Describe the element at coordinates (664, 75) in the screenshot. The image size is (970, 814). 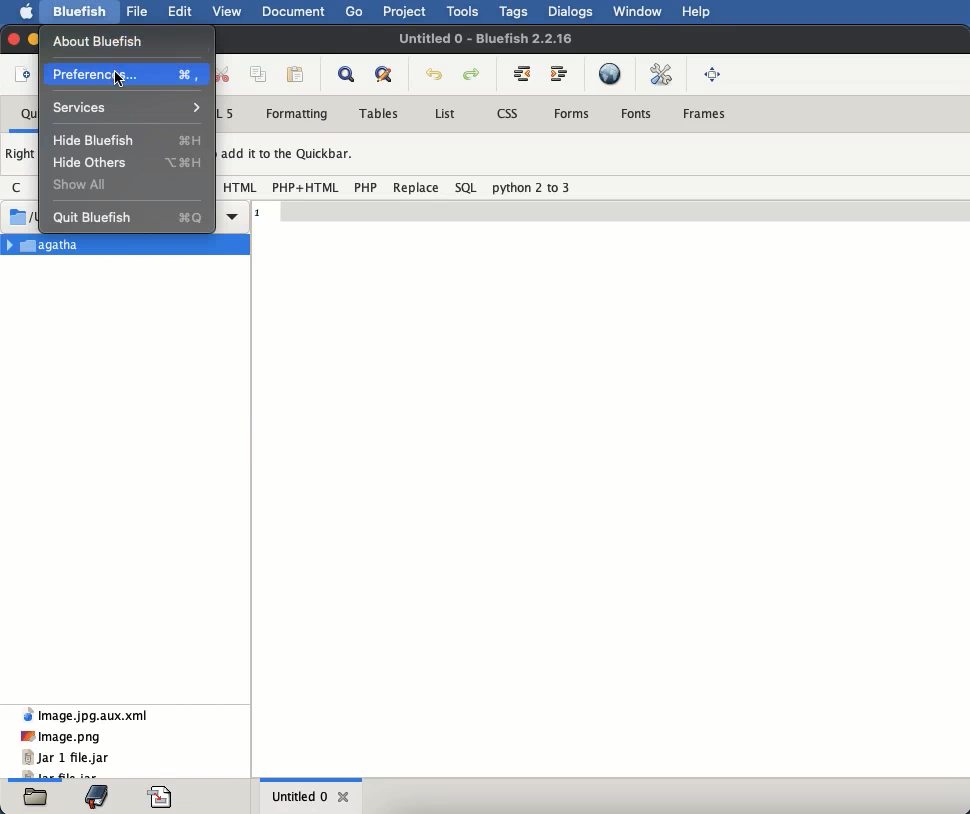
I see `edit preferences` at that location.